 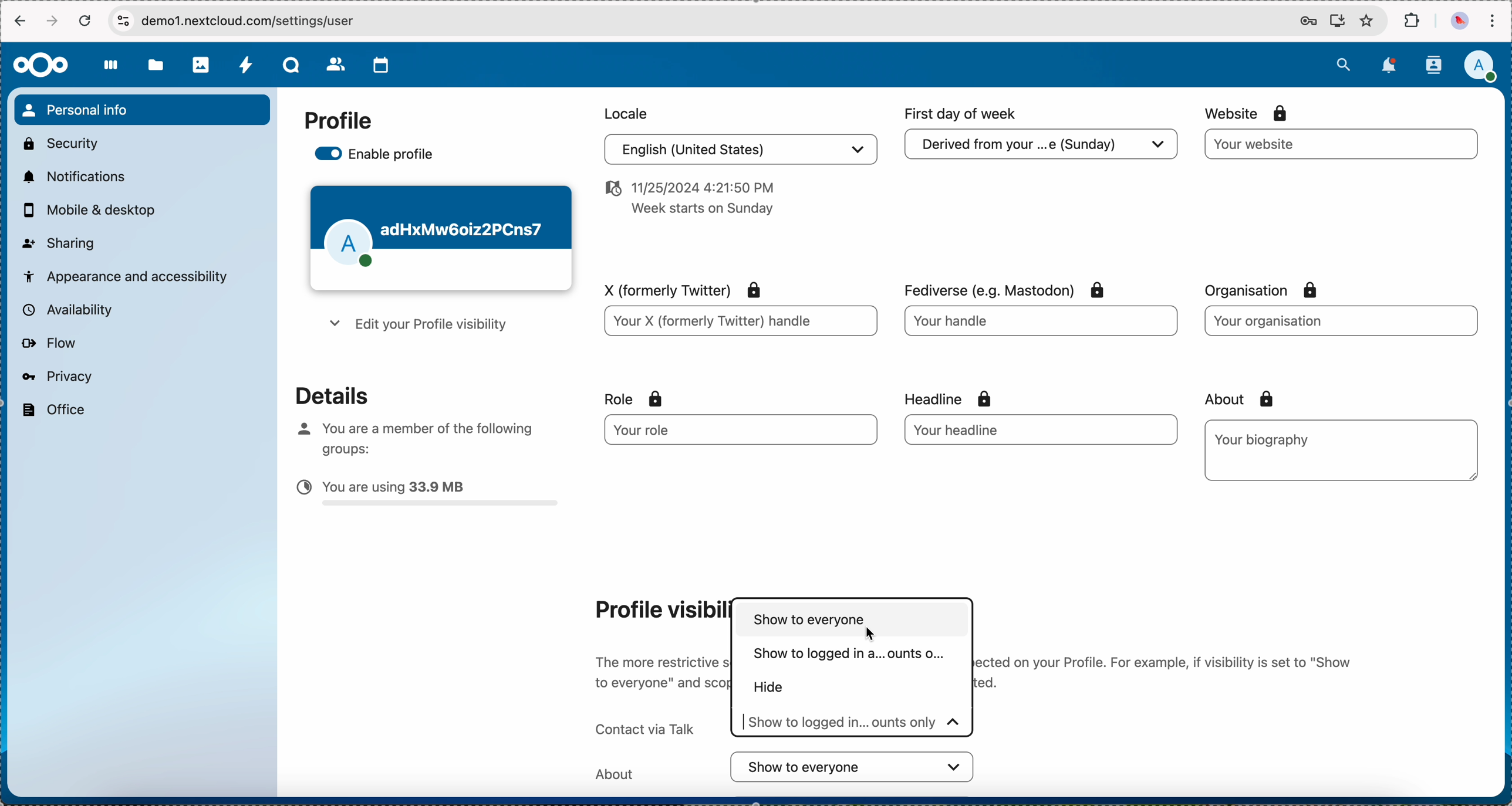 What do you see at coordinates (112, 72) in the screenshot?
I see `dashboard` at bounding box center [112, 72].